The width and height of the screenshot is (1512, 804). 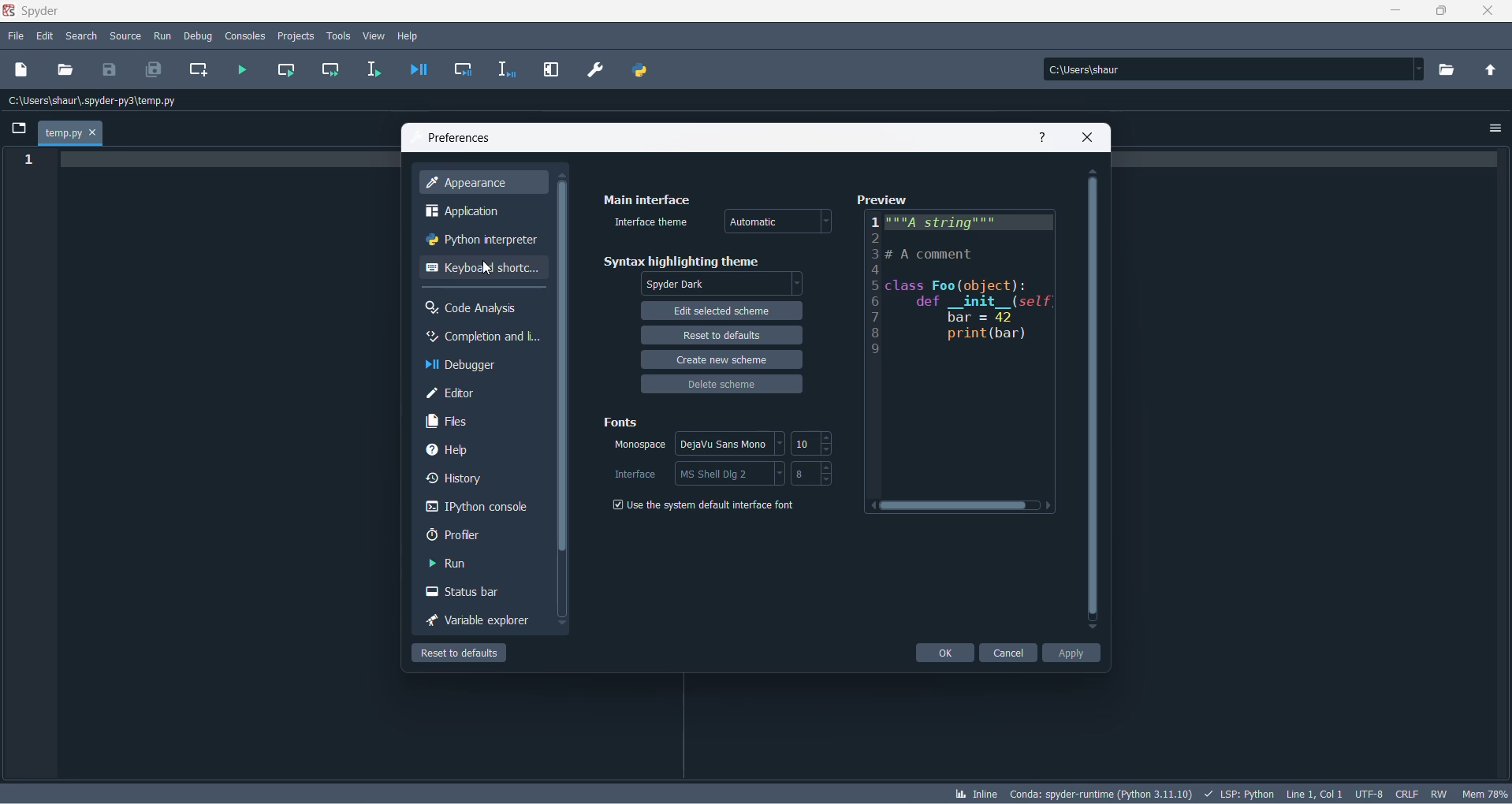 What do you see at coordinates (945, 653) in the screenshot?
I see `ok` at bounding box center [945, 653].